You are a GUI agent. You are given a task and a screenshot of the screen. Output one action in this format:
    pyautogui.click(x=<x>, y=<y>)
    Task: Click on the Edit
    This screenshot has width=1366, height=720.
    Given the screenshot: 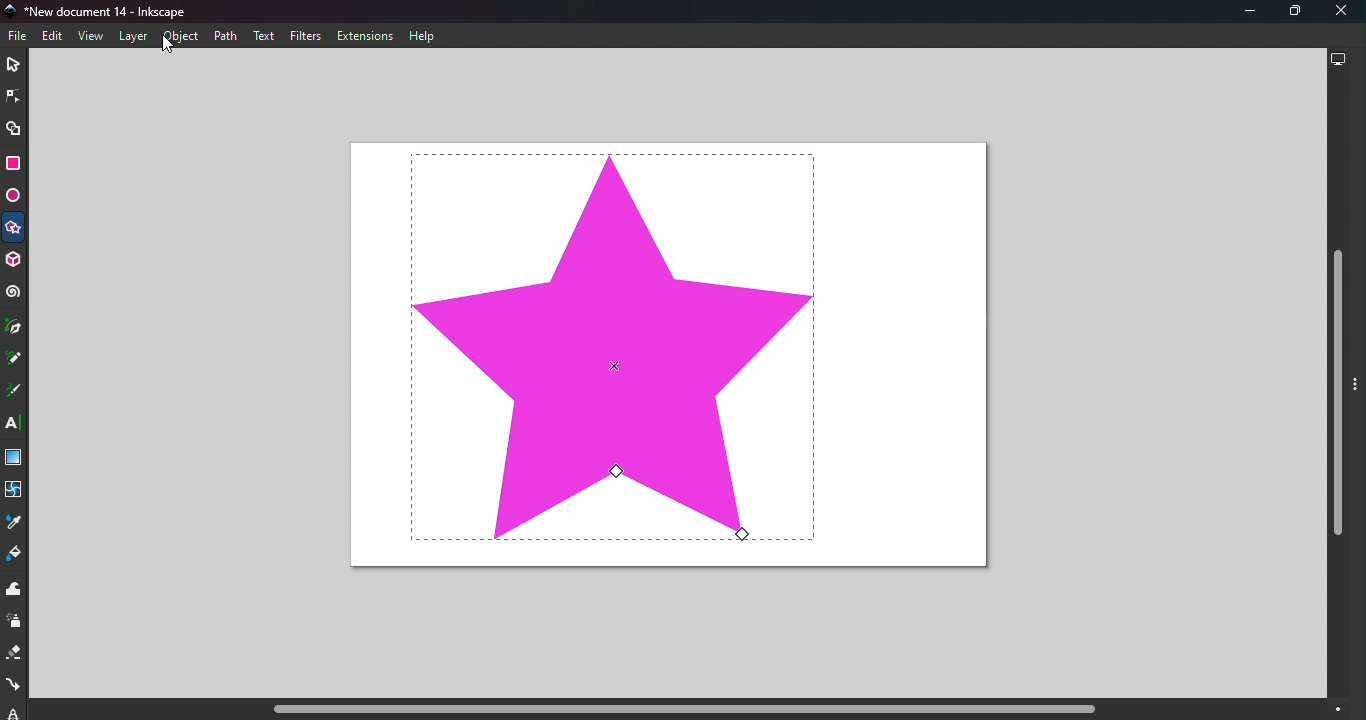 What is the action you would take?
    pyautogui.click(x=52, y=37)
    